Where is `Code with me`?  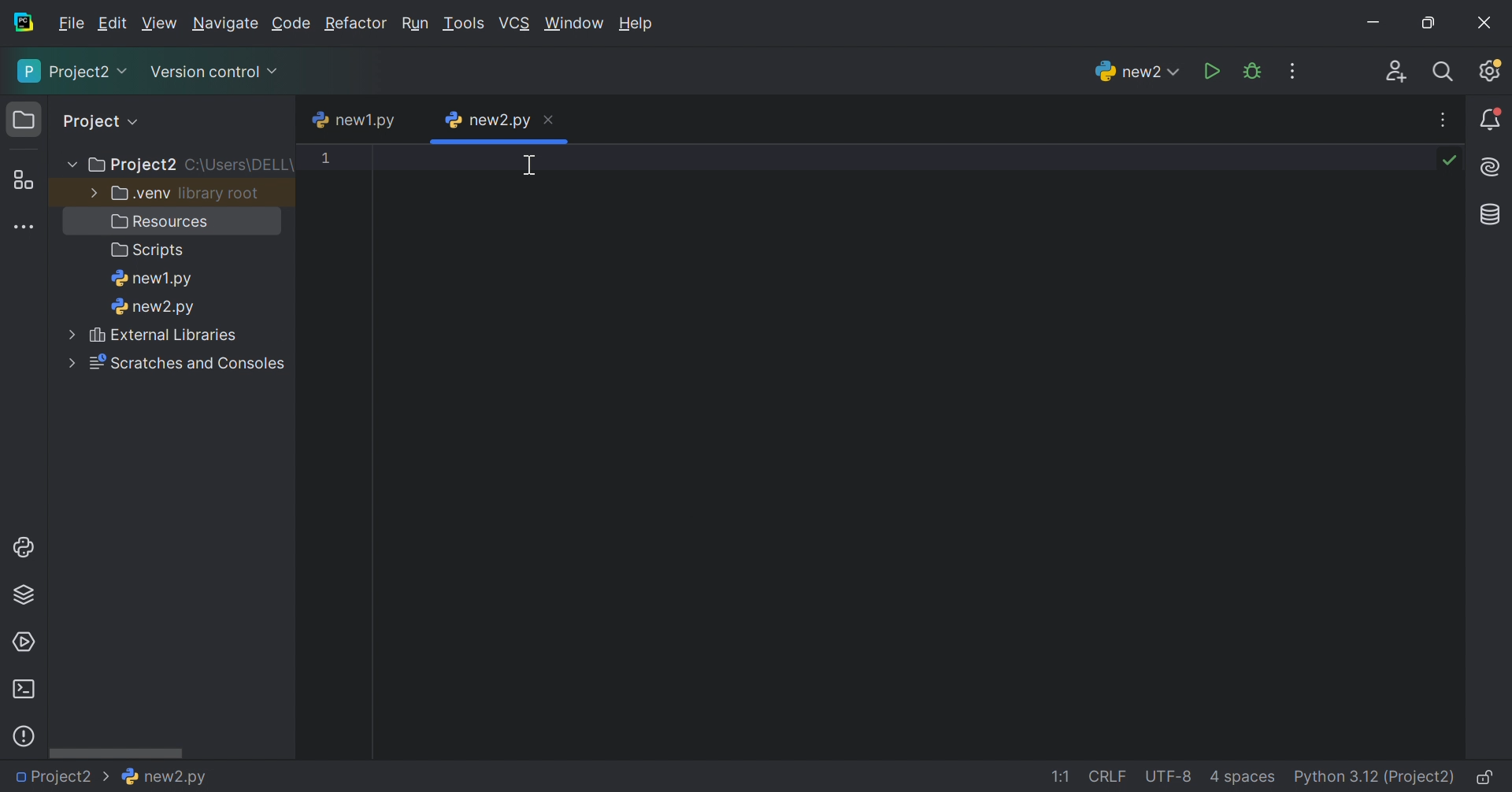 Code with me is located at coordinates (1395, 72).